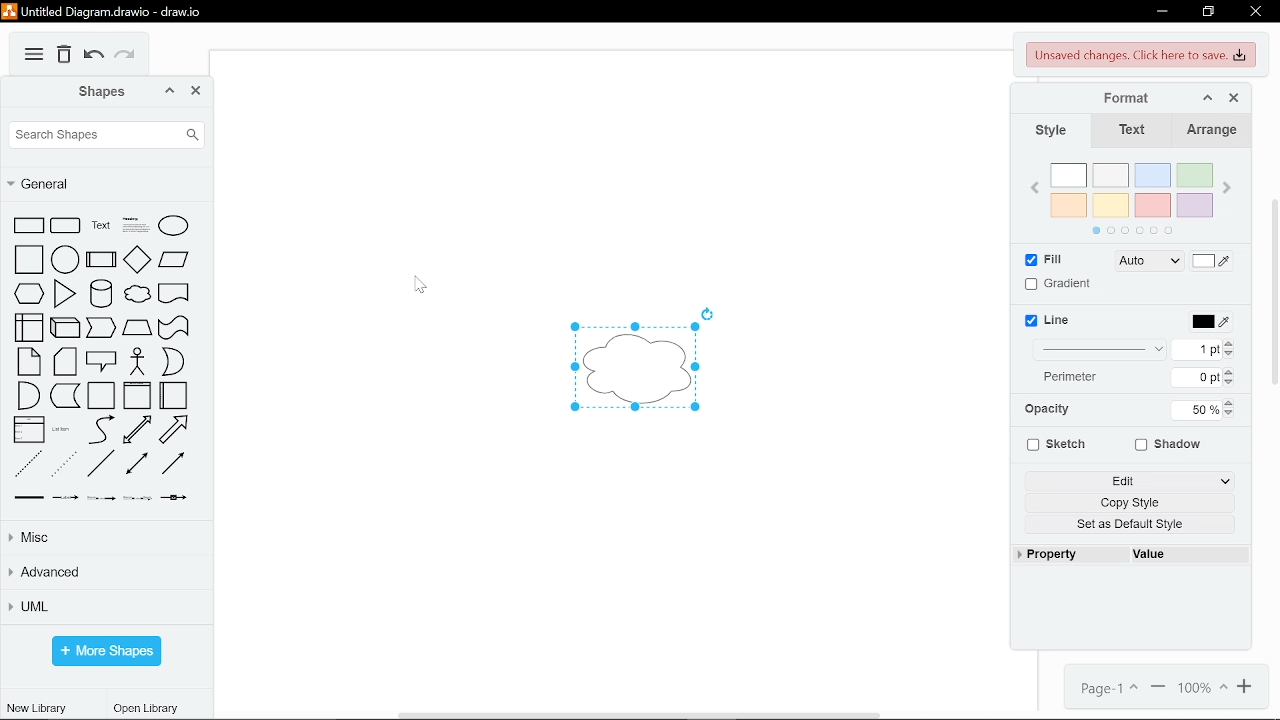  I want to click on link, so click(25, 496).